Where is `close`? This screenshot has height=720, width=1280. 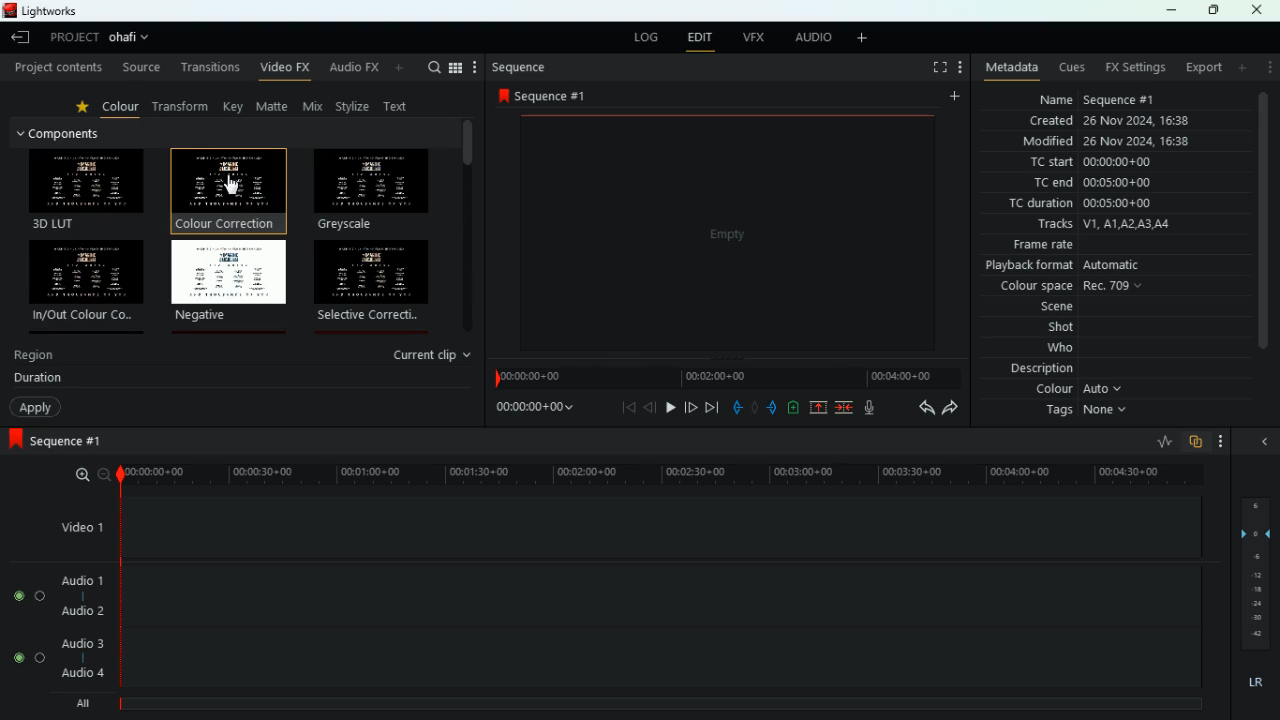
close is located at coordinates (1262, 10).